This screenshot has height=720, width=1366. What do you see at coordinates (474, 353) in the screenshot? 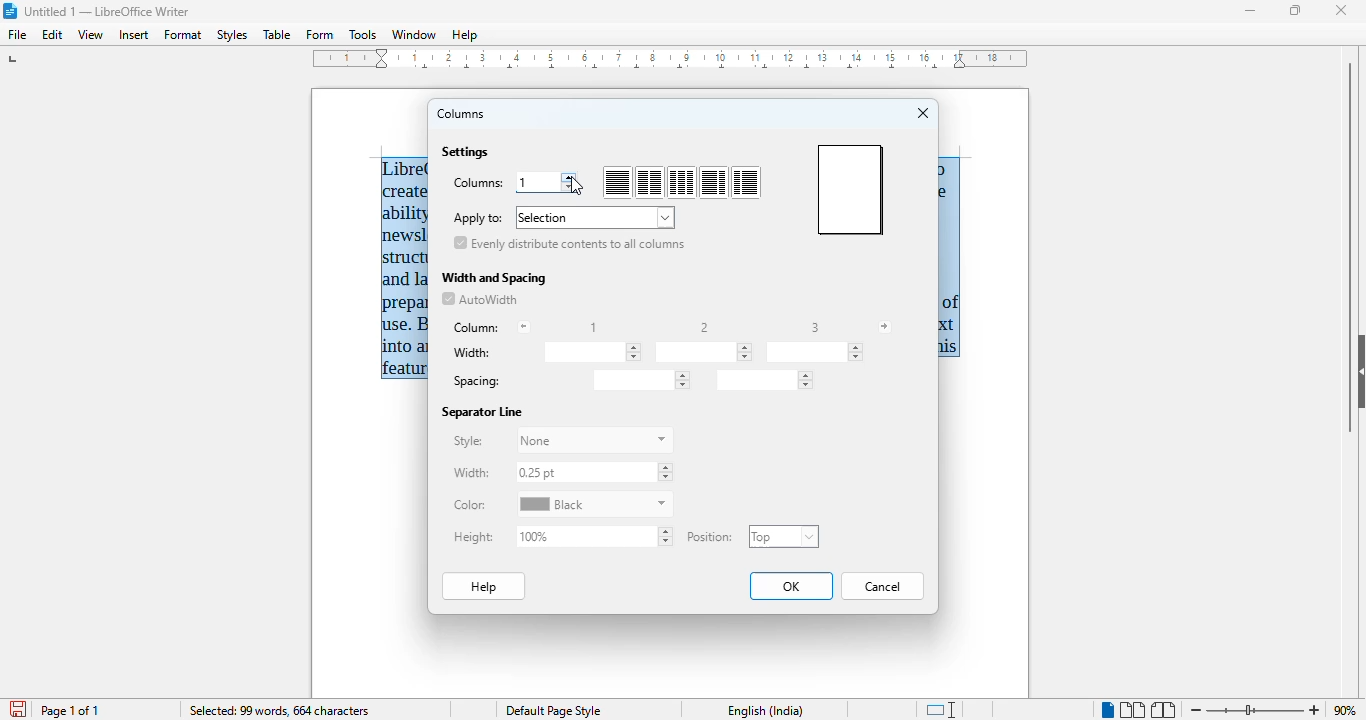
I see `width` at bounding box center [474, 353].